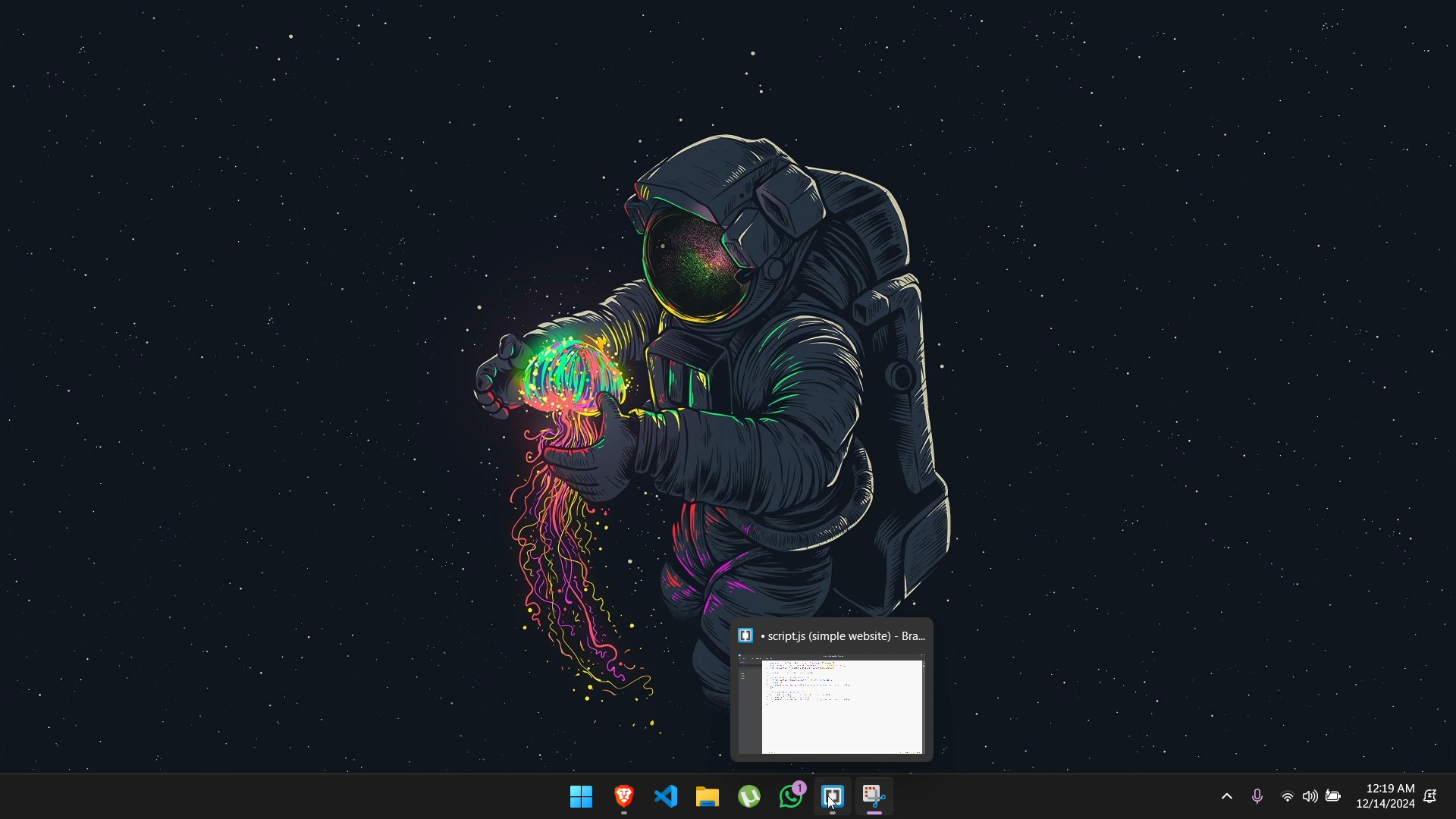  Describe the element at coordinates (1390, 786) in the screenshot. I see `12:19AM` at that location.